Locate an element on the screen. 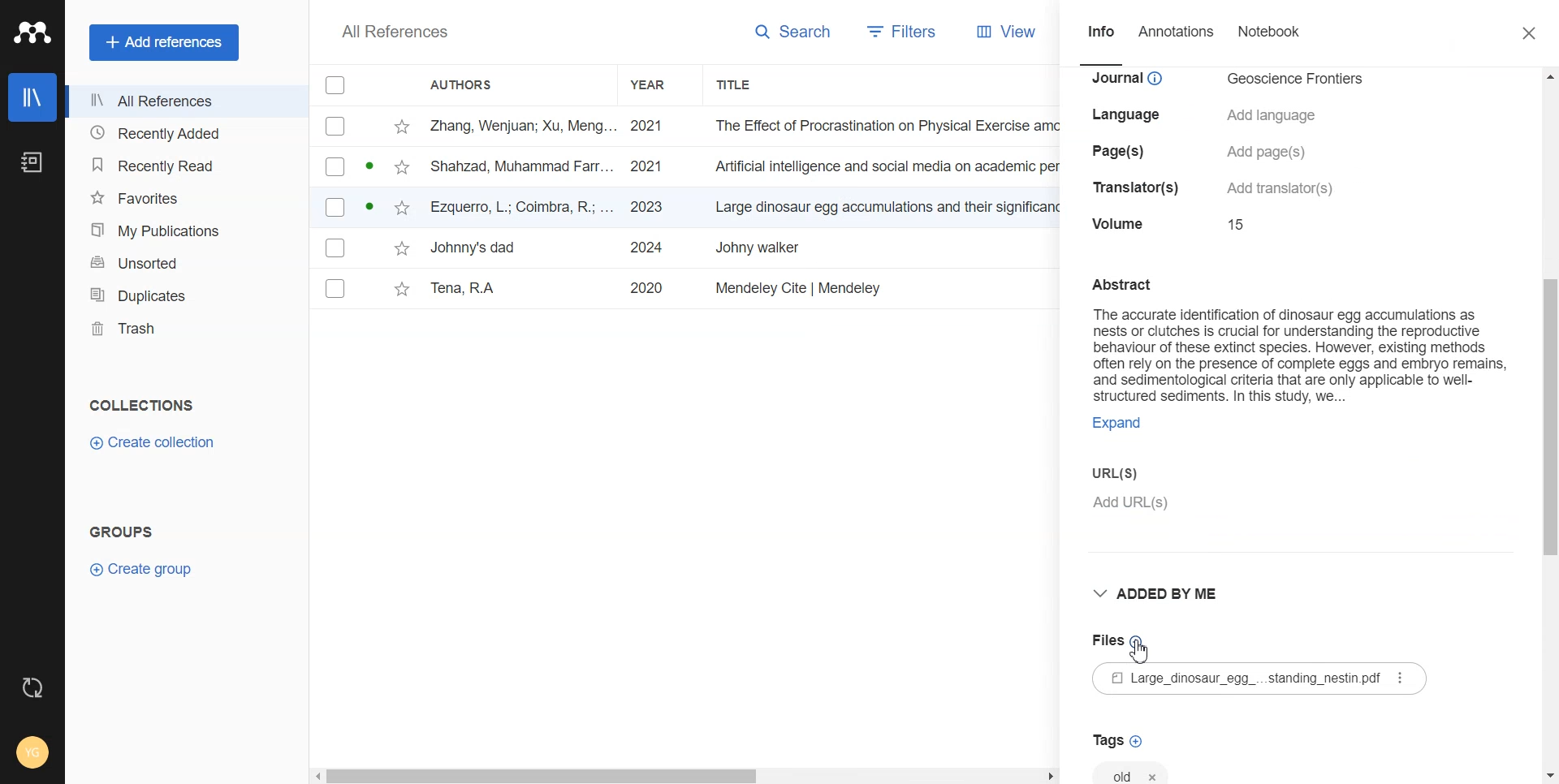  File is located at coordinates (746, 248).